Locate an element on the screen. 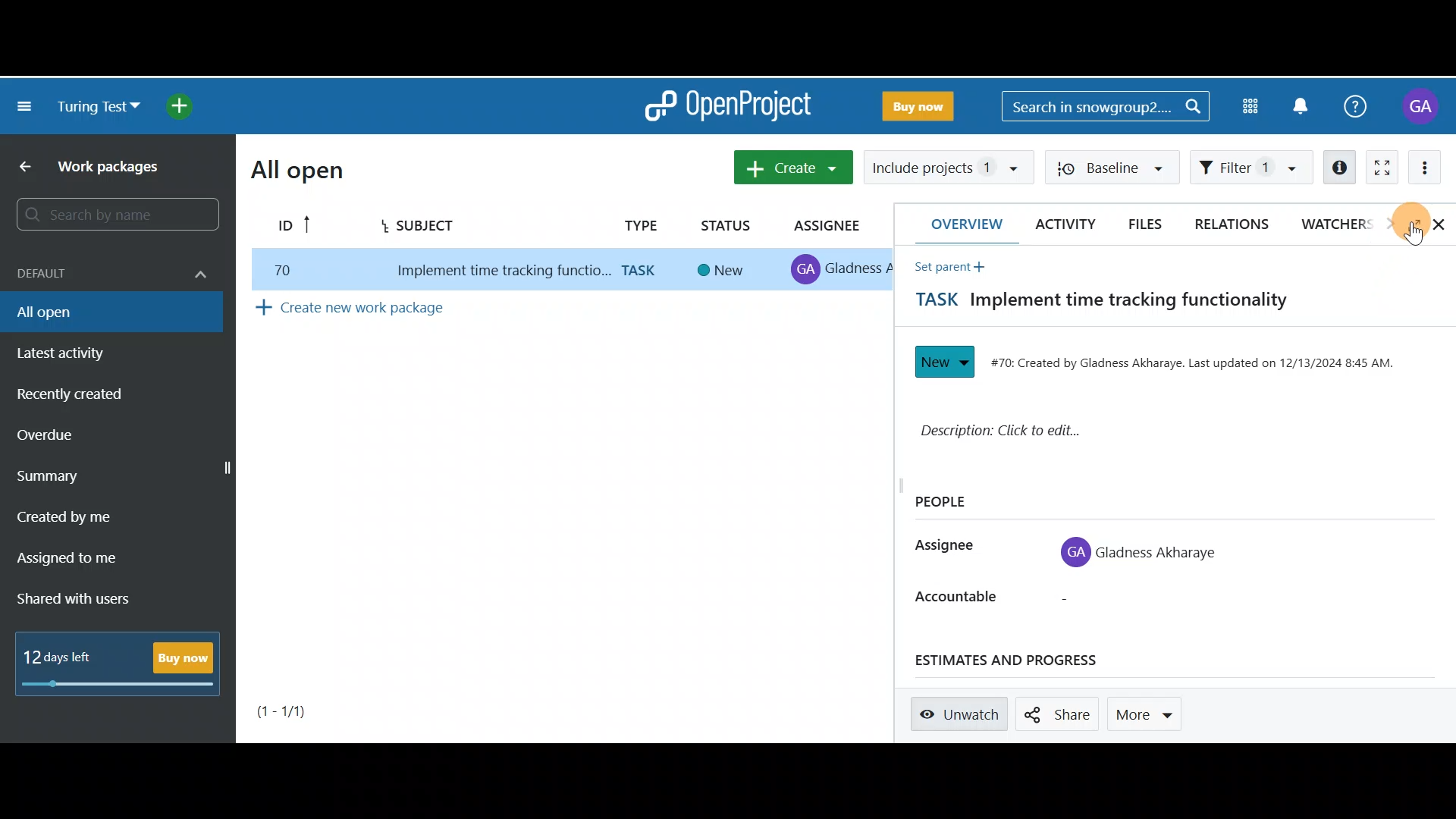 This screenshot has height=819, width=1456. Shared with users is located at coordinates (86, 600).